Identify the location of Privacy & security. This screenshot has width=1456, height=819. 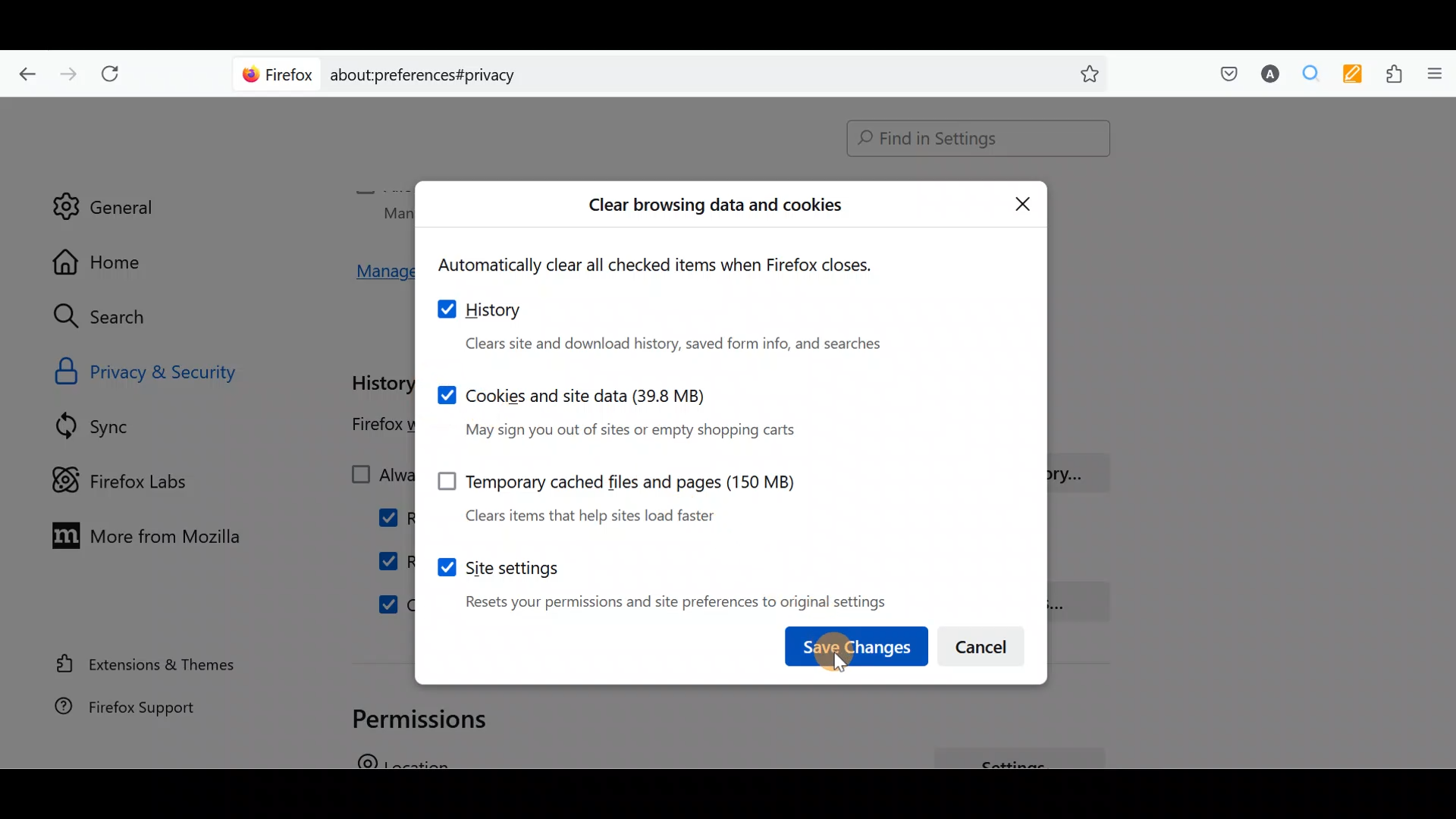
(184, 370).